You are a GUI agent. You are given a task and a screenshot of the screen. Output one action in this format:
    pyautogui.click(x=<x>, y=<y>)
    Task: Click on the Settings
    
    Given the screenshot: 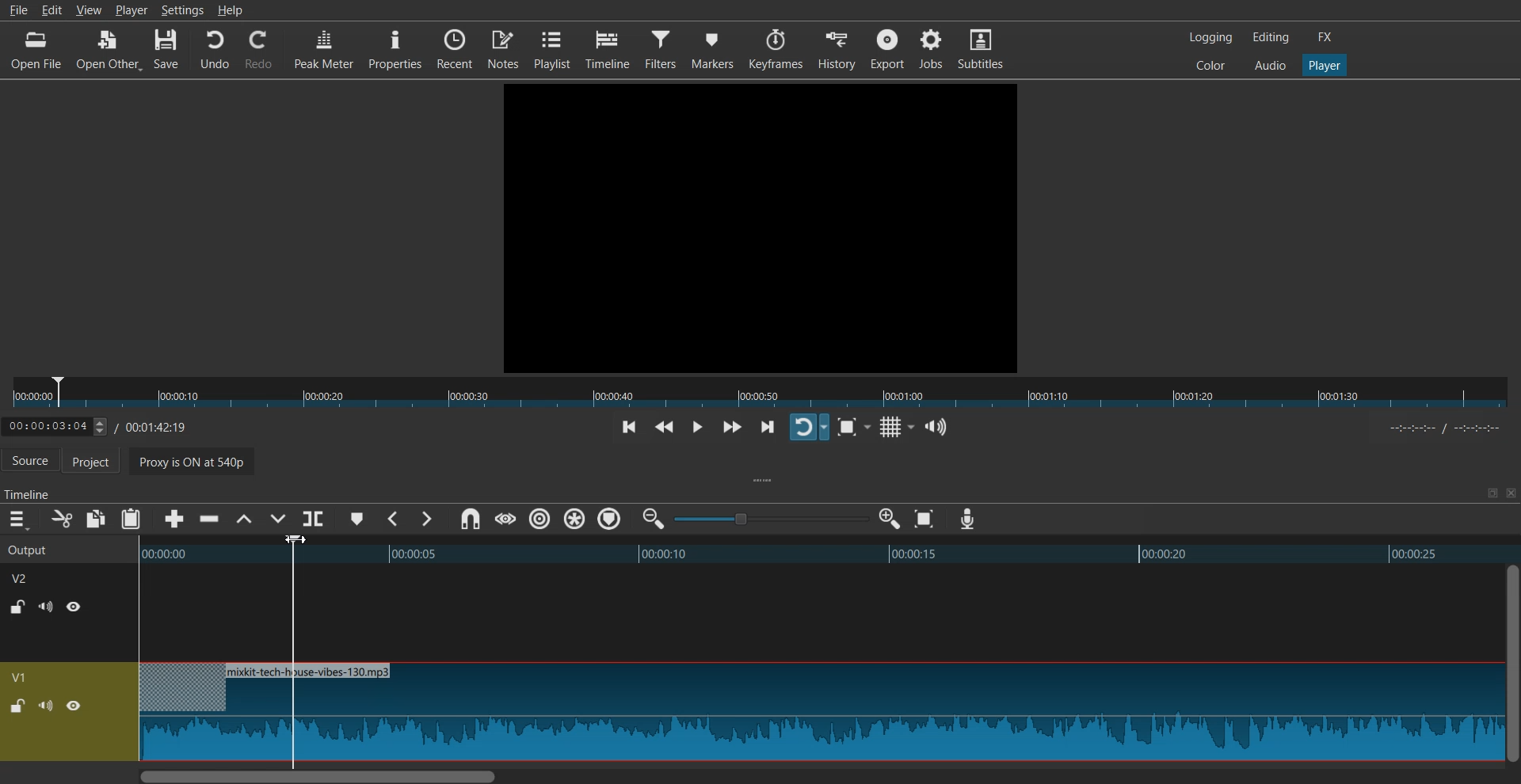 What is the action you would take?
    pyautogui.click(x=182, y=10)
    